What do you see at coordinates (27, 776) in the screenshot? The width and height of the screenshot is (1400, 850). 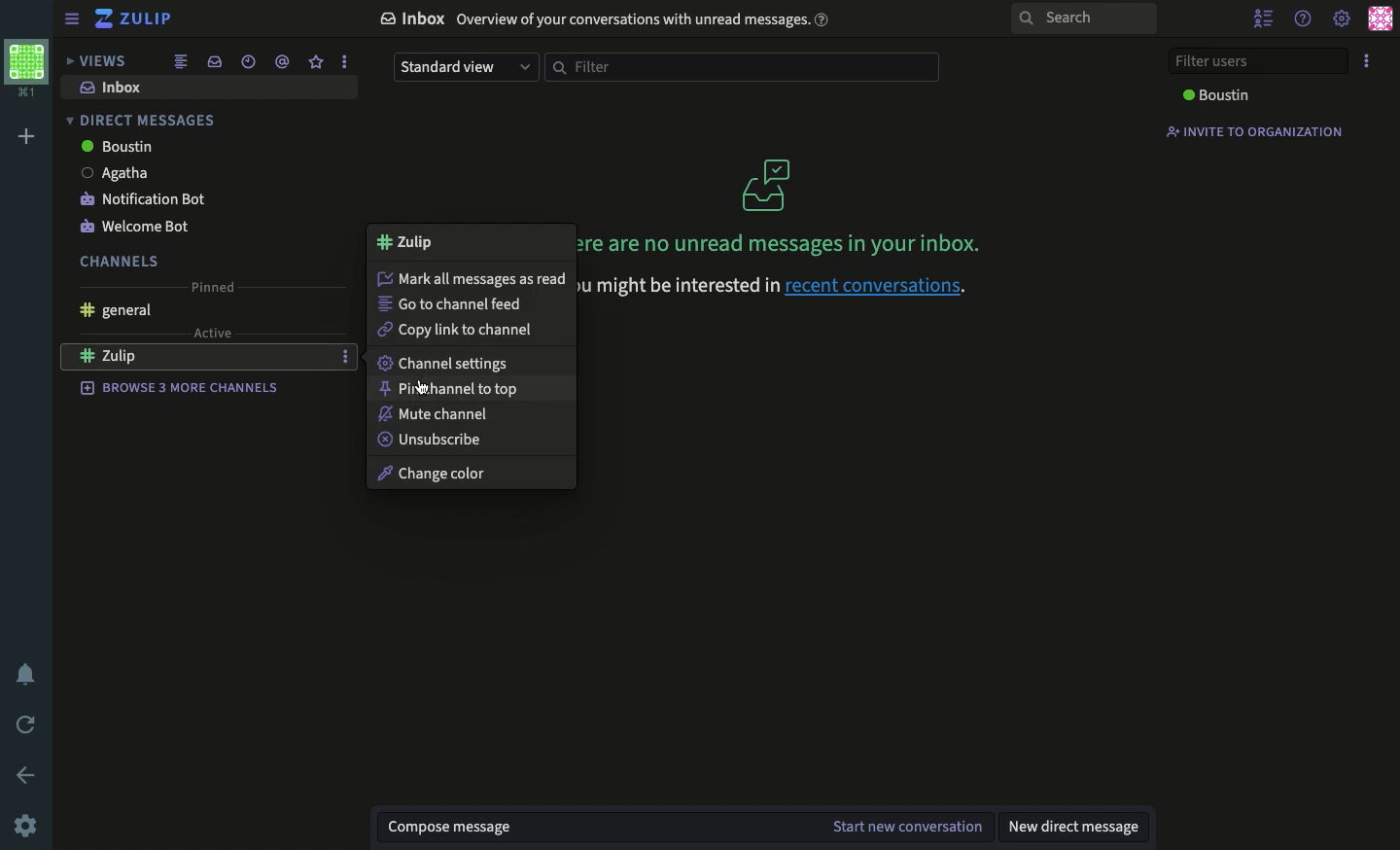 I see `back` at bounding box center [27, 776].